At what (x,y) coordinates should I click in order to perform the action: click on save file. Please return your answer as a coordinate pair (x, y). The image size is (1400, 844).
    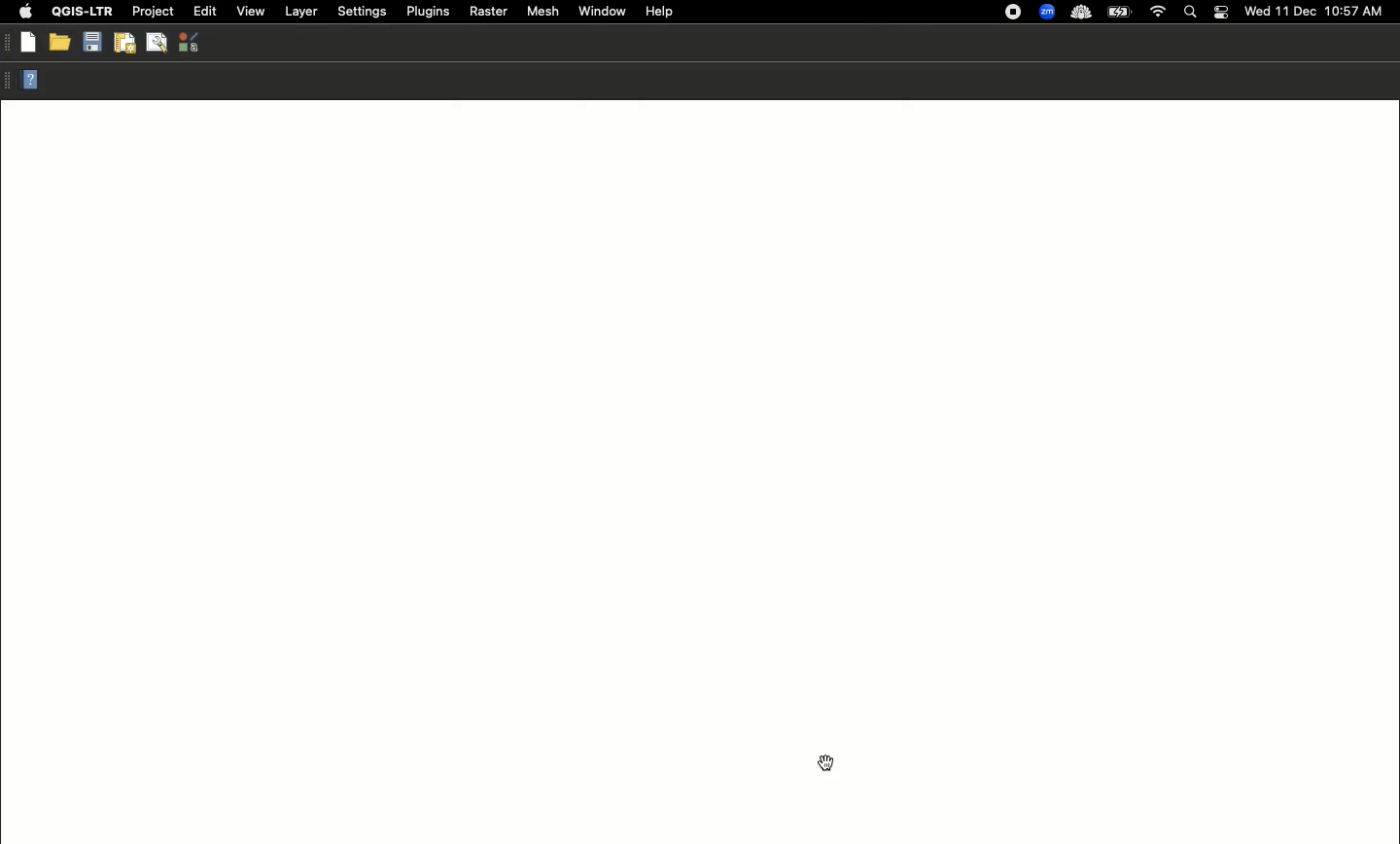
    Looking at the image, I should click on (92, 42).